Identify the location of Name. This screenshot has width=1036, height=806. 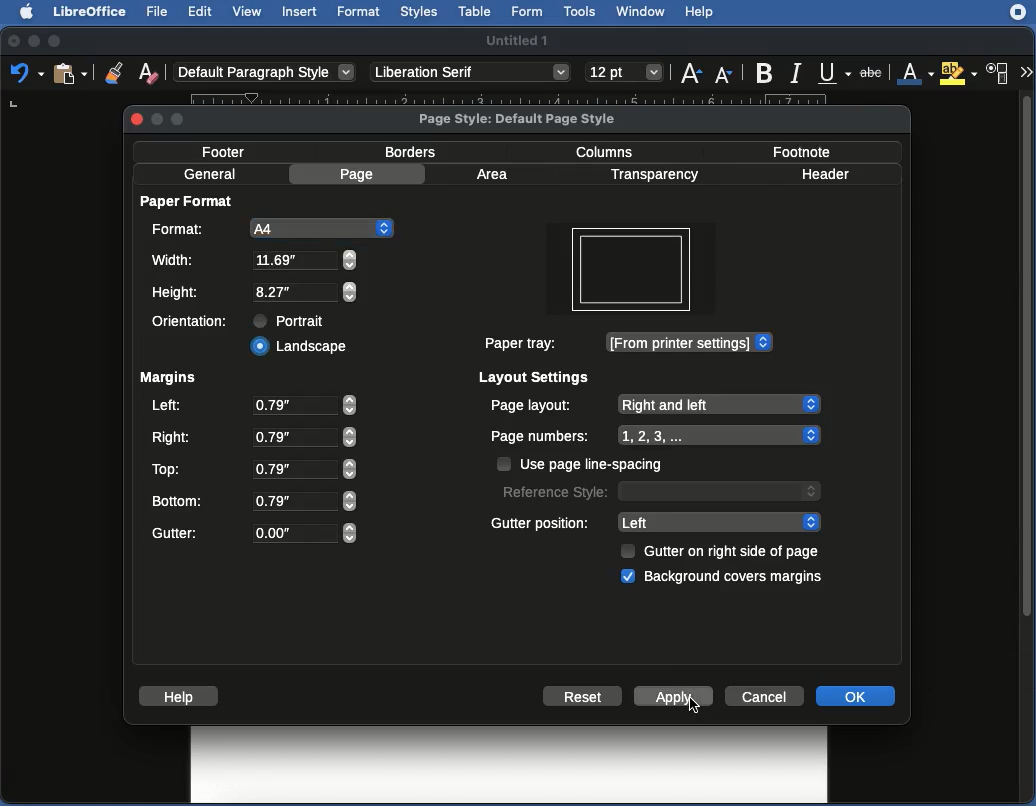
(517, 40).